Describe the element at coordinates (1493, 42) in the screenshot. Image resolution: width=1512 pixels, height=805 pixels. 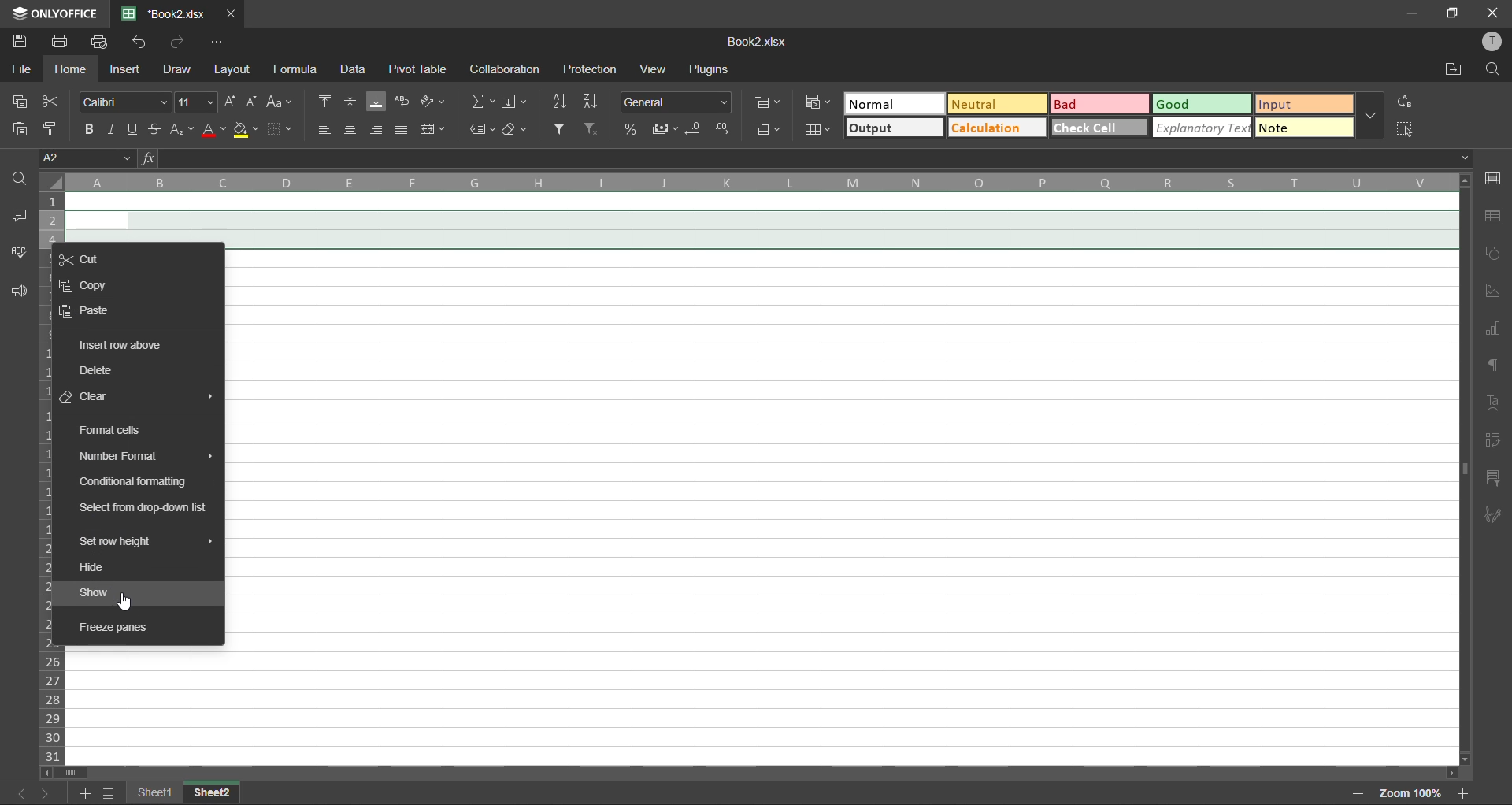
I see `profile` at that location.